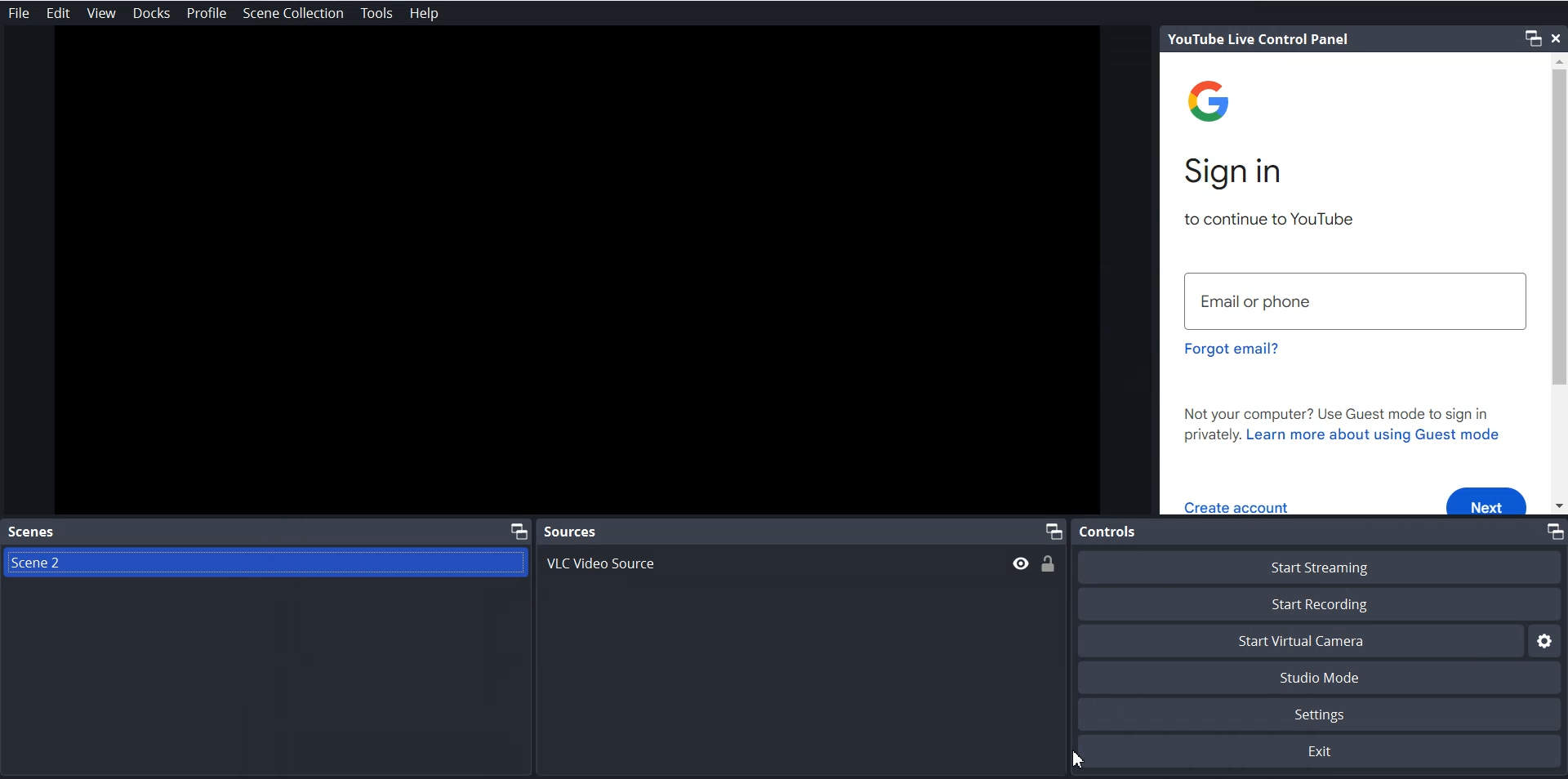 This screenshot has width=1568, height=779. I want to click on Maximize, so click(1553, 532).